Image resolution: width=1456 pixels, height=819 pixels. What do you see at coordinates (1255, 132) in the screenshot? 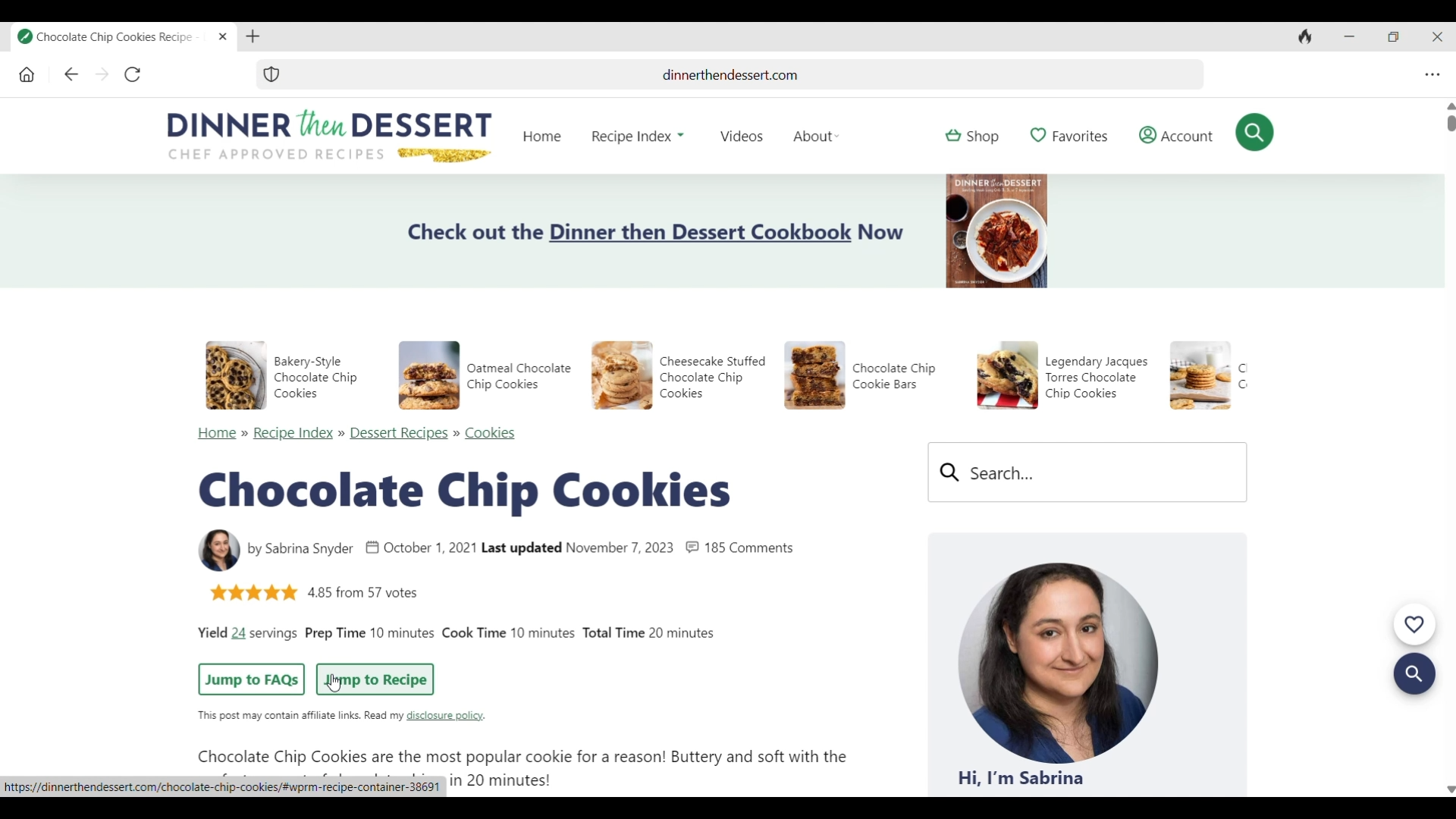
I see `Quick search website` at bounding box center [1255, 132].